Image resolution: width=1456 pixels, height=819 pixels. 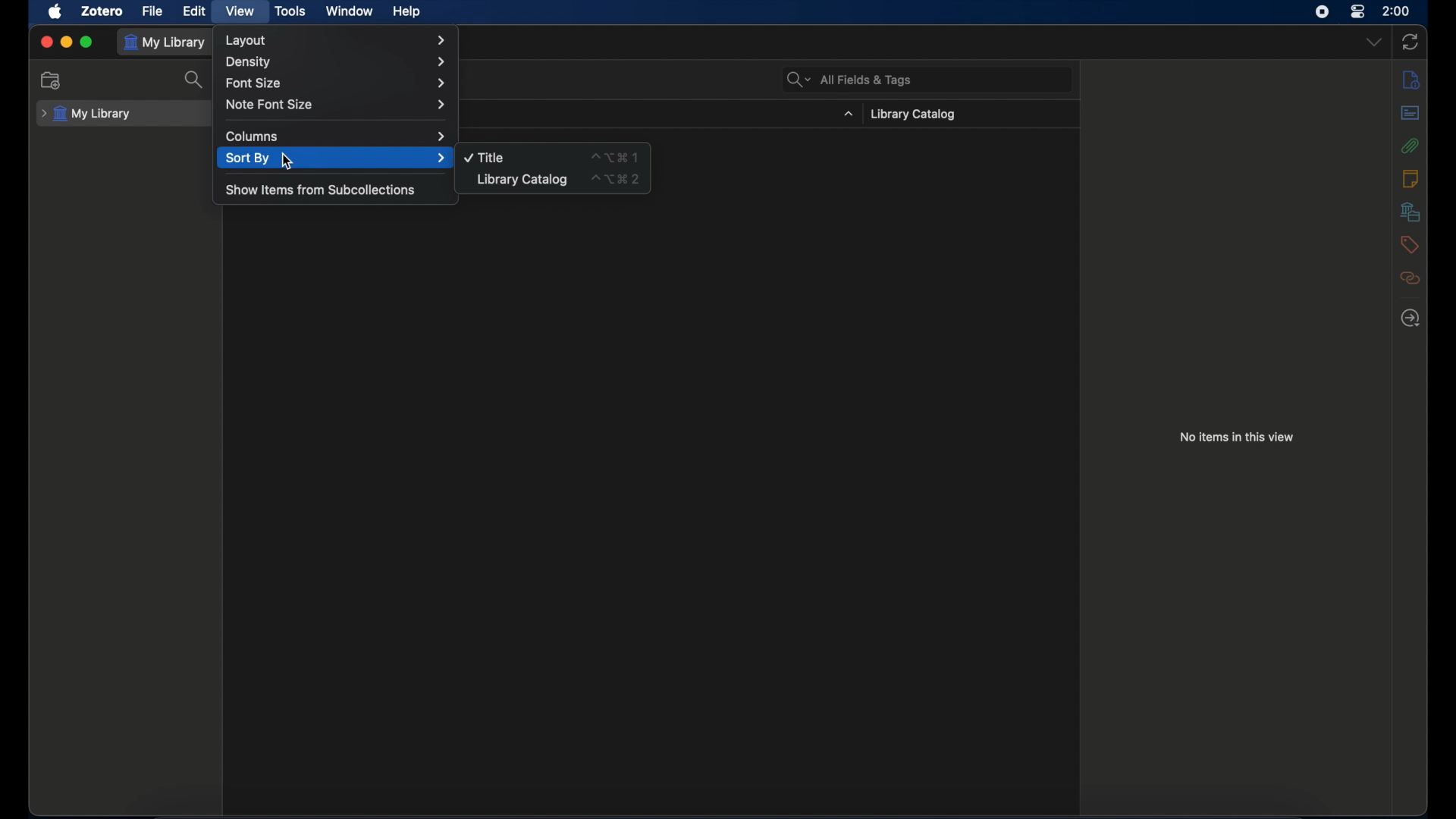 I want to click on help, so click(x=408, y=12).